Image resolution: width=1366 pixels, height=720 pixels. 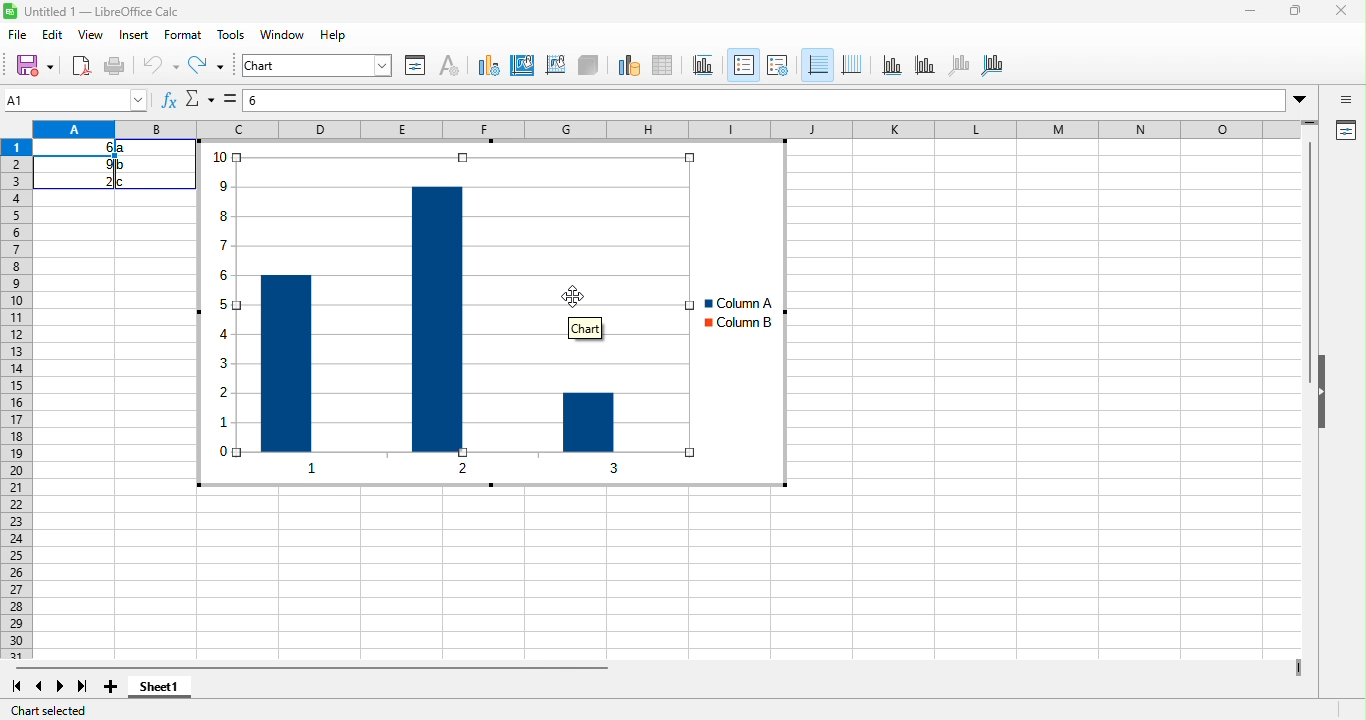 I want to click on undo, so click(x=155, y=65).